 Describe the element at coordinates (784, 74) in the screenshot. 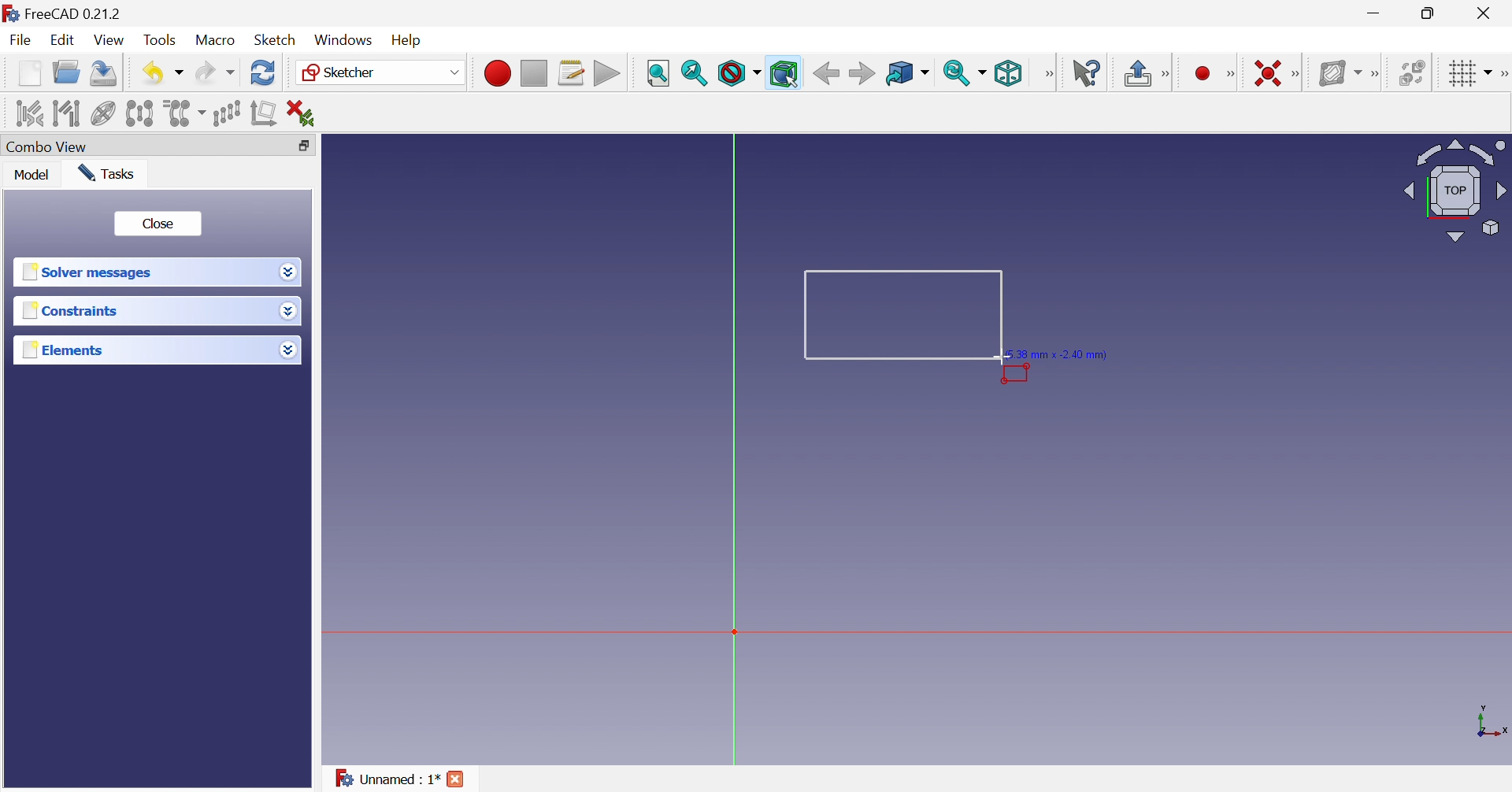

I see `Bounding box` at that location.